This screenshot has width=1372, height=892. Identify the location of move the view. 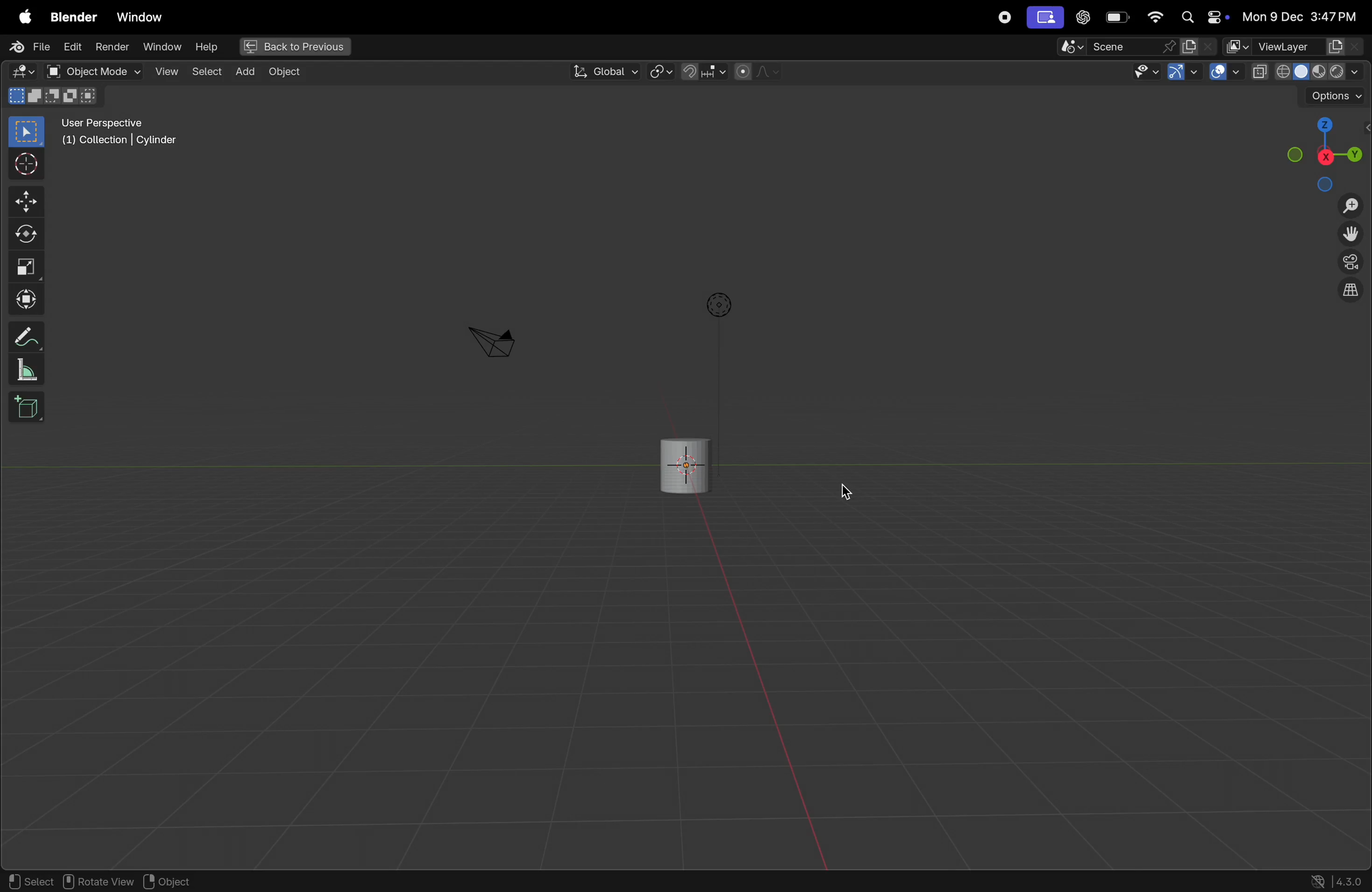
(1353, 235).